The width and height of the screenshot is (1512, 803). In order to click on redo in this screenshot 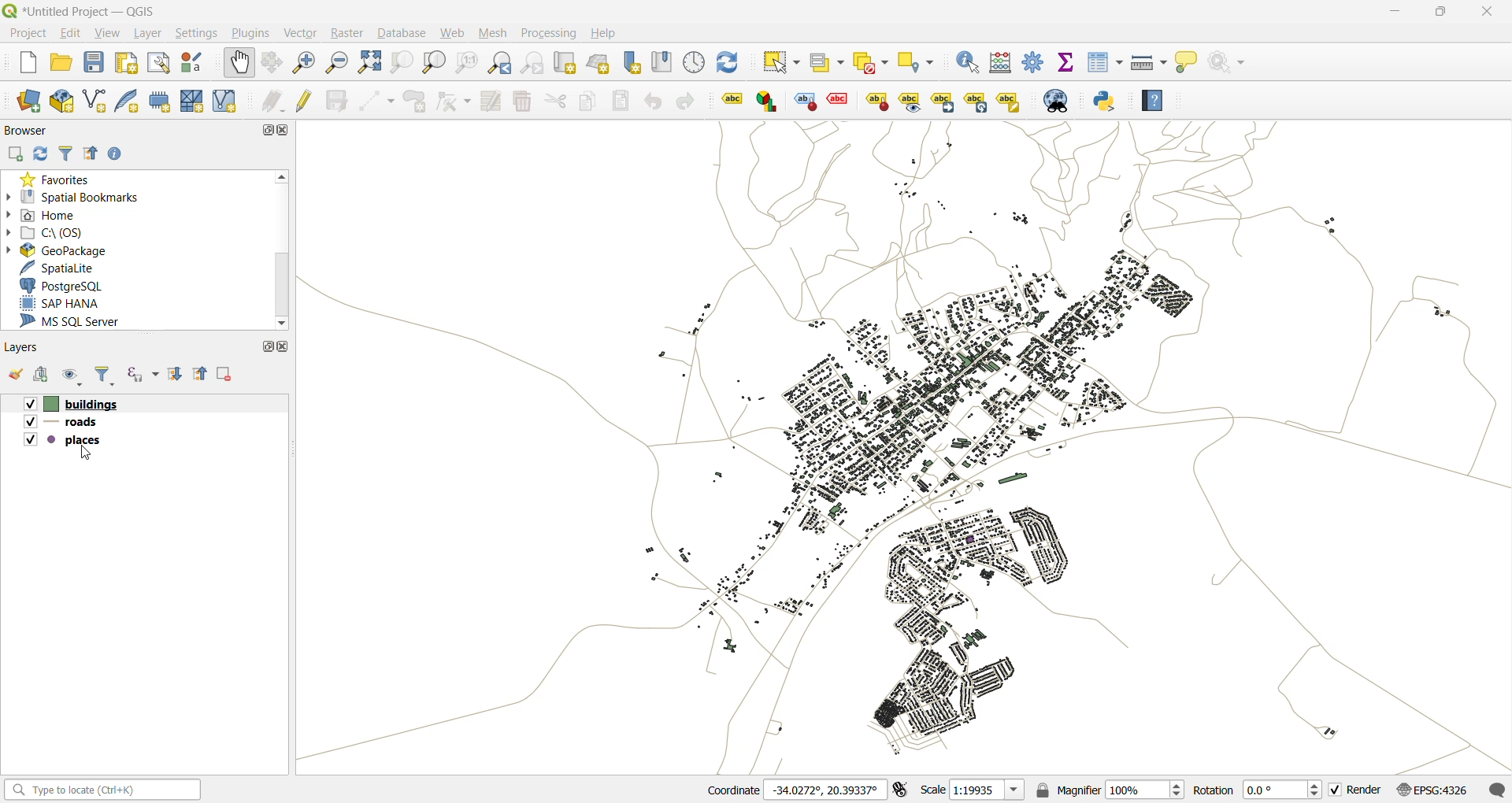, I will do `click(688, 99)`.